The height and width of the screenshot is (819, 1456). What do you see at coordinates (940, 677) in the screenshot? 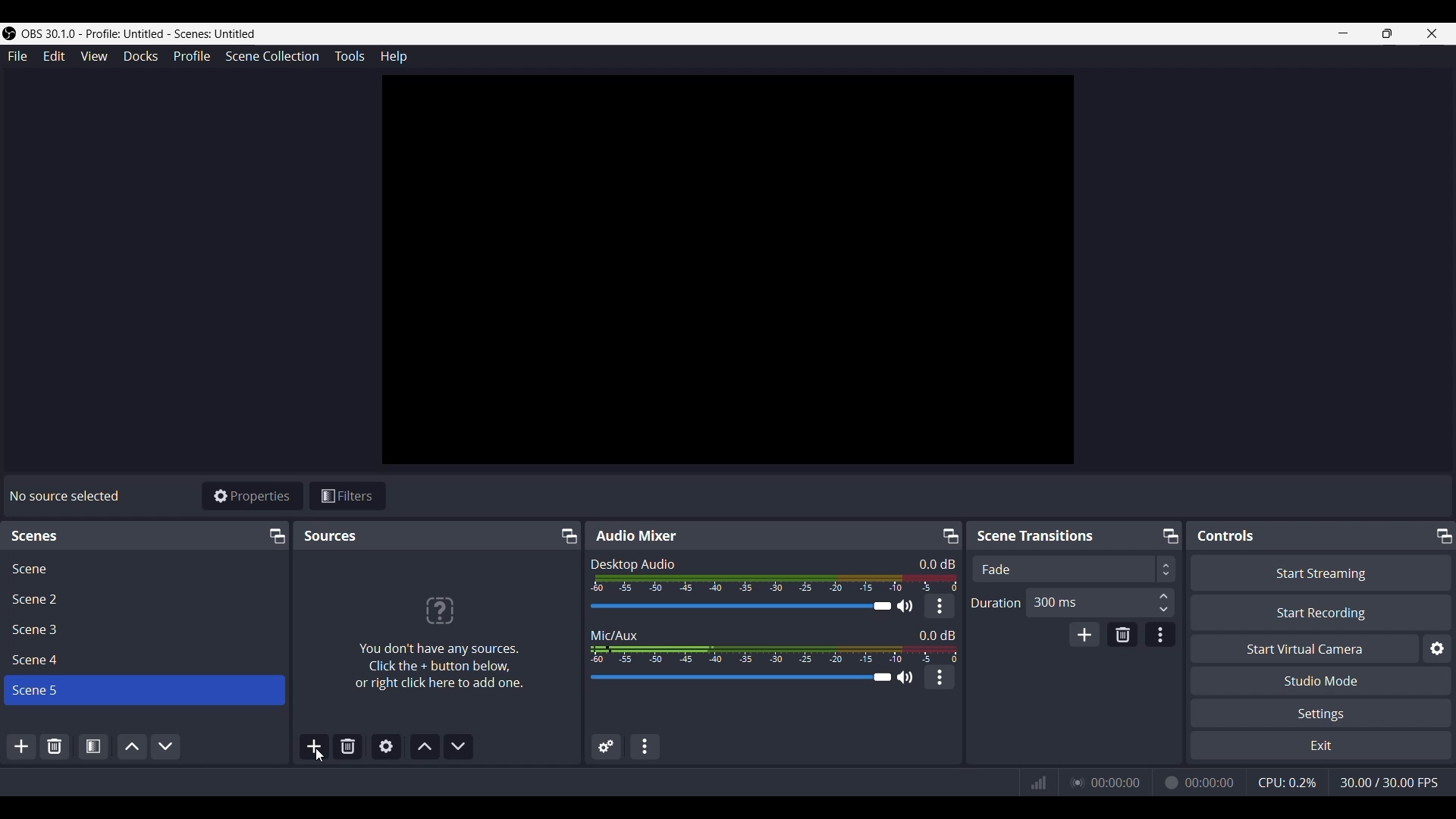
I see `More` at bounding box center [940, 677].